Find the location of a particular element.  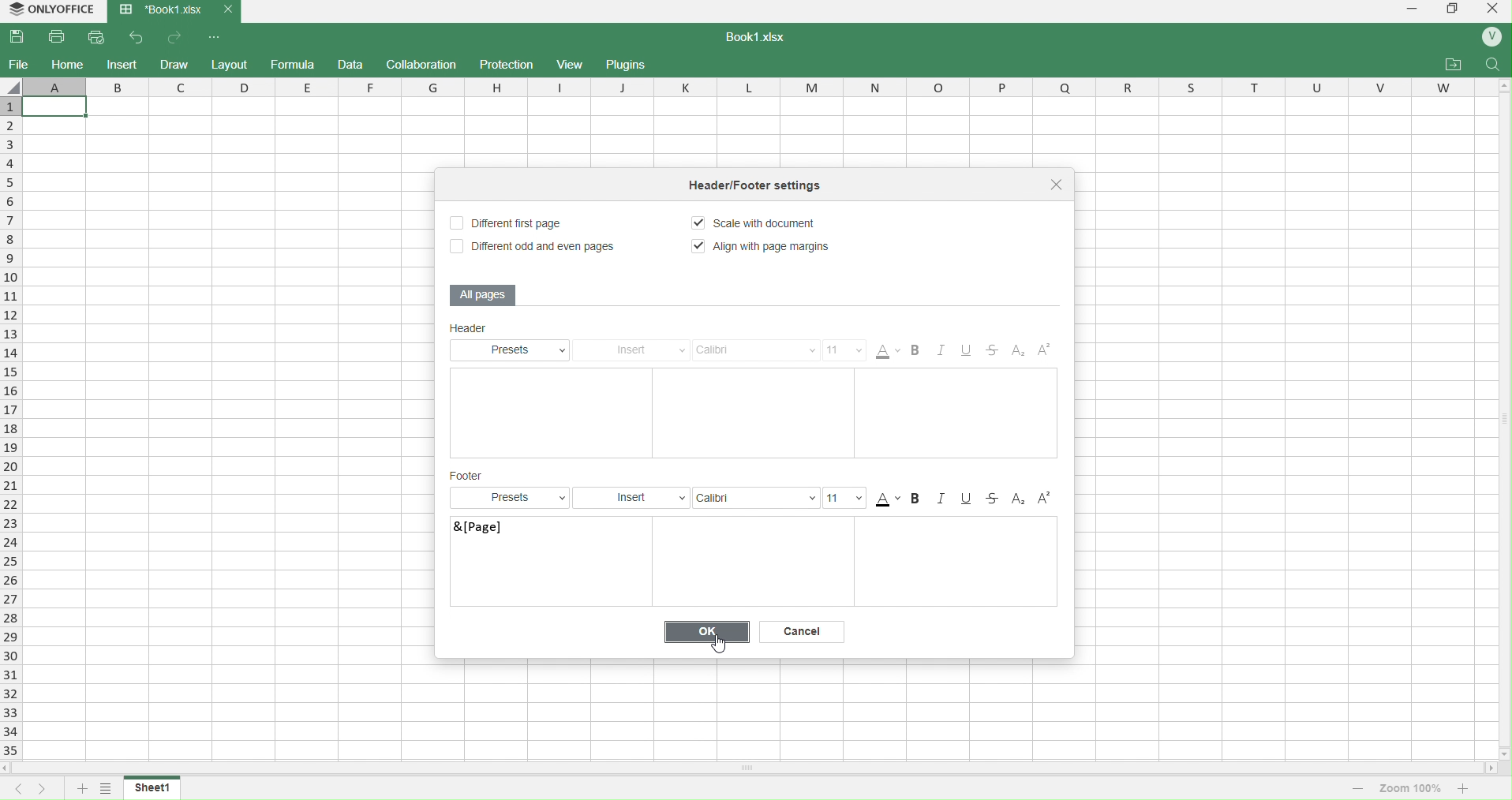

plugins is located at coordinates (631, 65).